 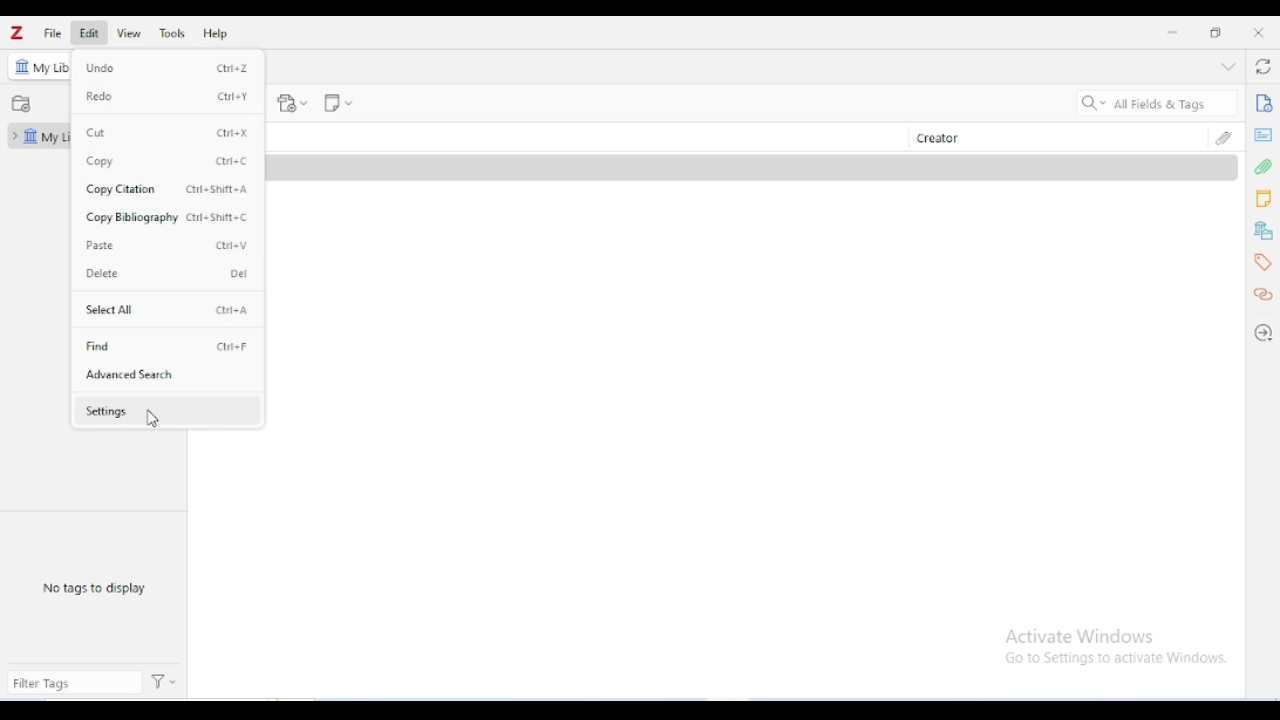 I want to click on abstract, so click(x=1263, y=135).